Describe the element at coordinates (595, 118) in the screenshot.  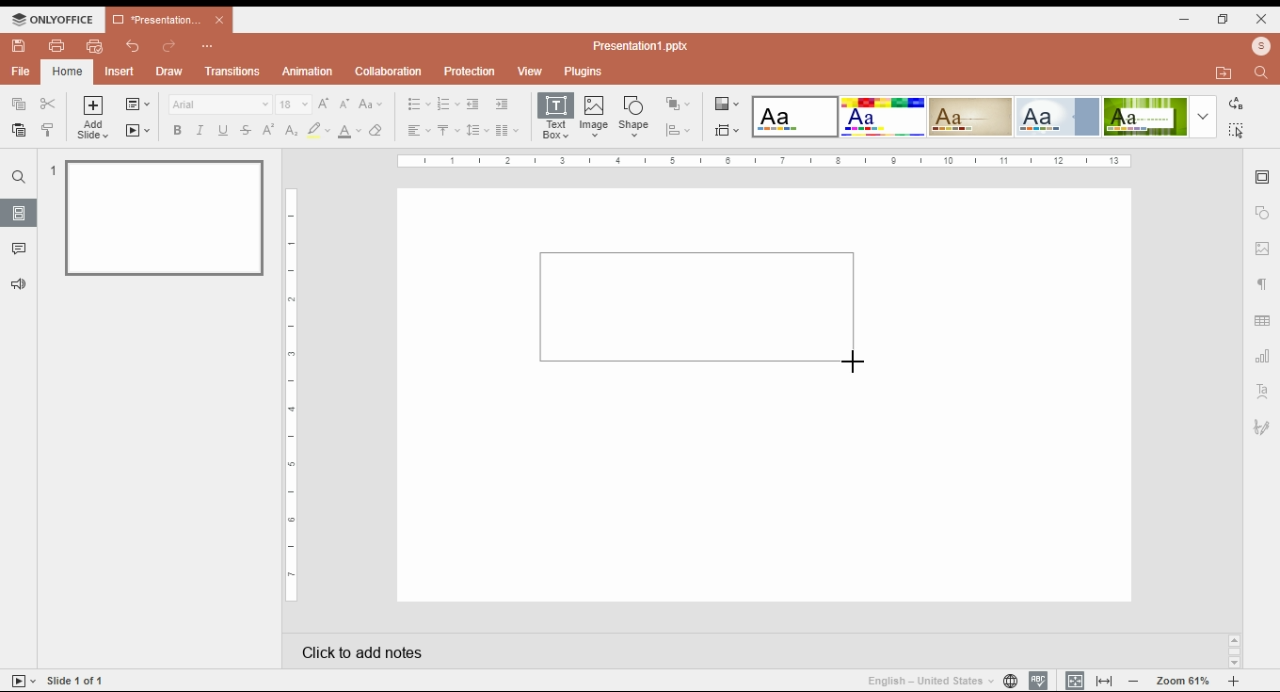
I see `insert image` at that location.